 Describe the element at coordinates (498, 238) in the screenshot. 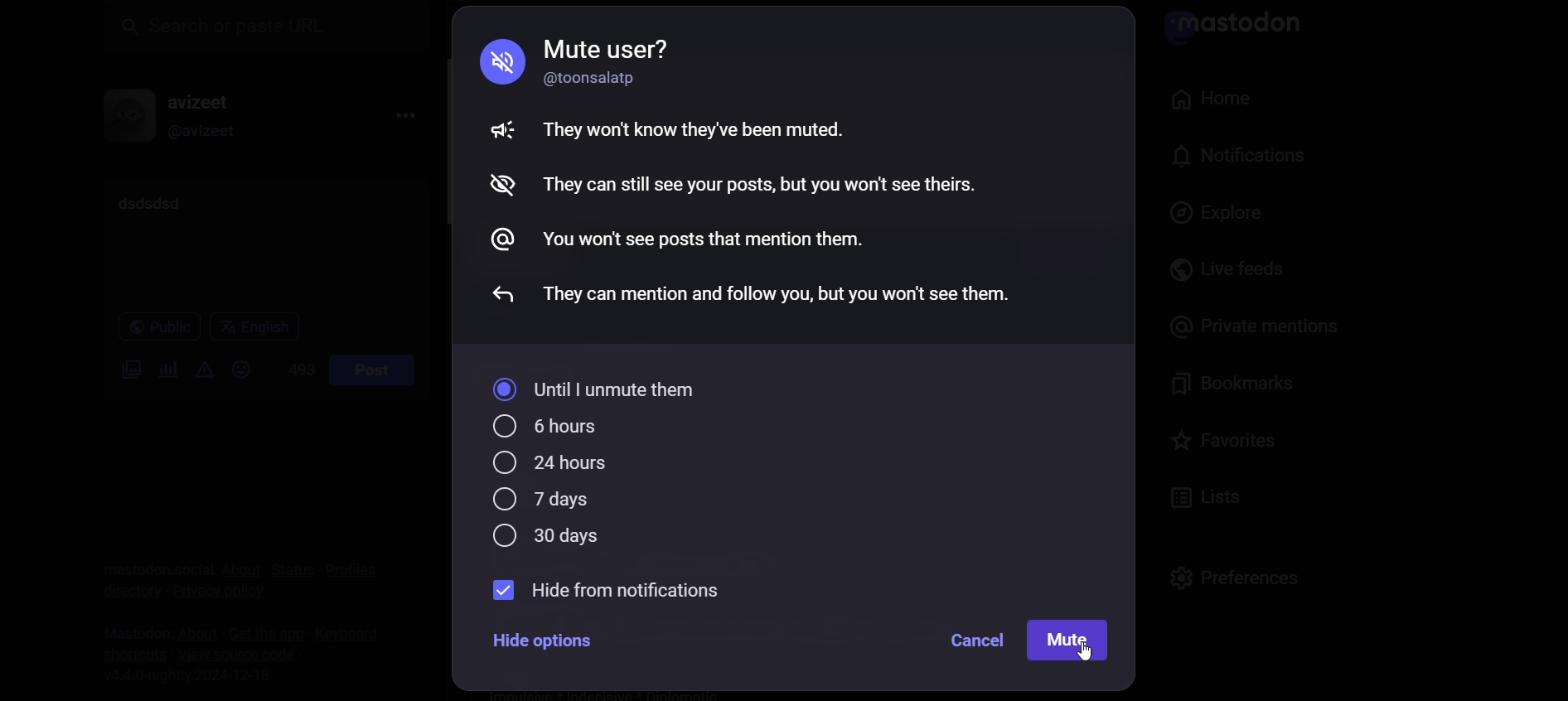

I see `` at that location.